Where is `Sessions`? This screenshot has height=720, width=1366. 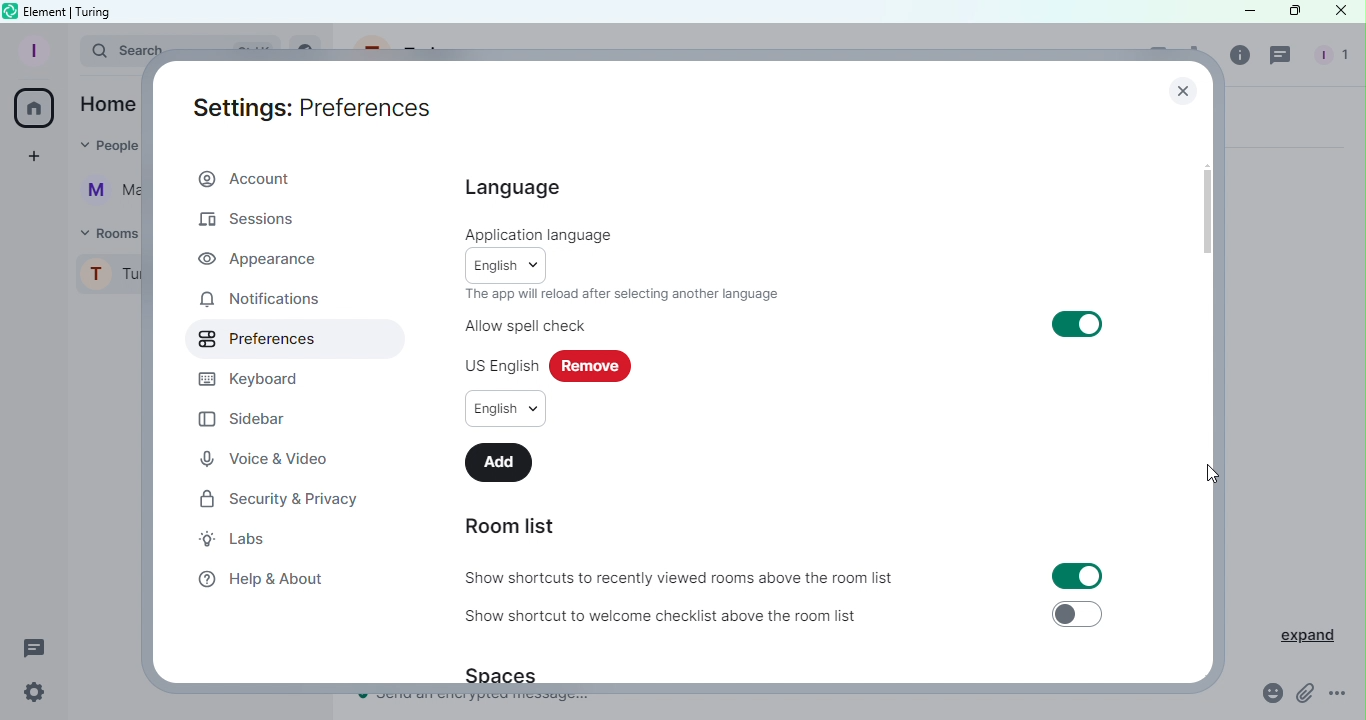 Sessions is located at coordinates (257, 222).